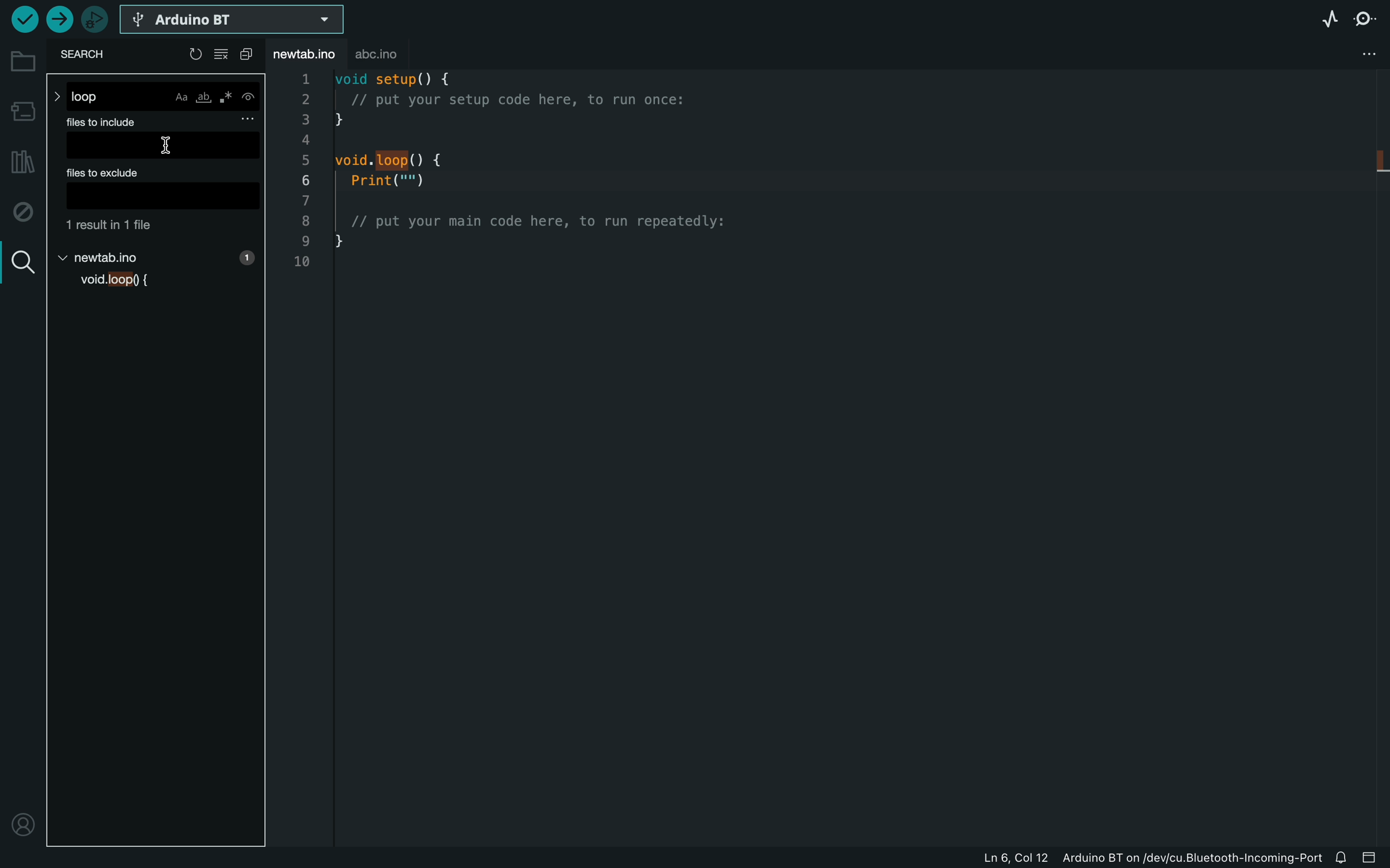 Image resolution: width=1390 pixels, height=868 pixels. I want to click on debugger, so click(96, 21).